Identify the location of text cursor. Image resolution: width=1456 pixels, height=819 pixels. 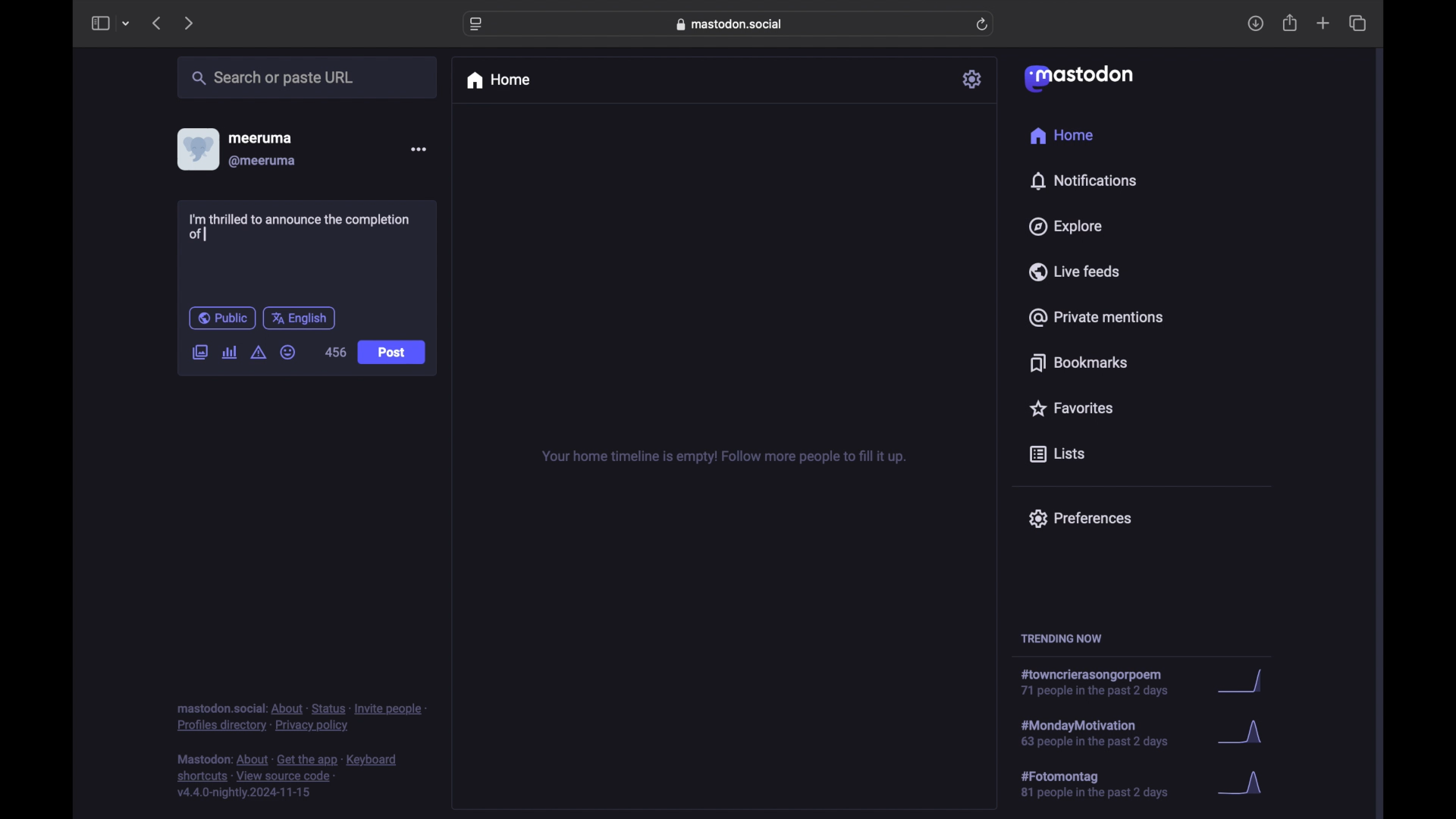
(205, 234).